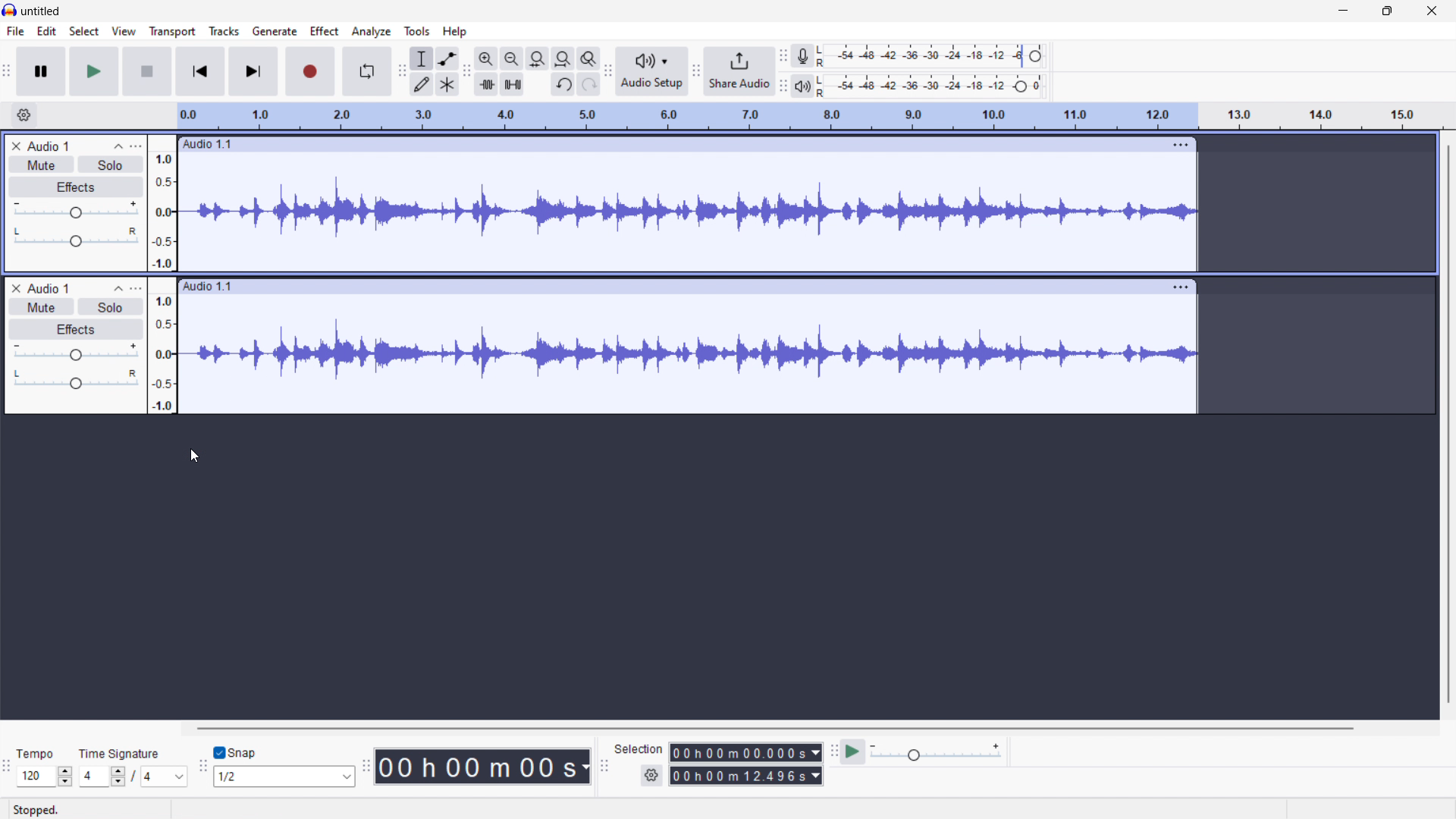 Image resolution: width=1456 pixels, height=819 pixels. Describe the element at coordinates (49, 146) in the screenshot. I see `Audio` at that location.